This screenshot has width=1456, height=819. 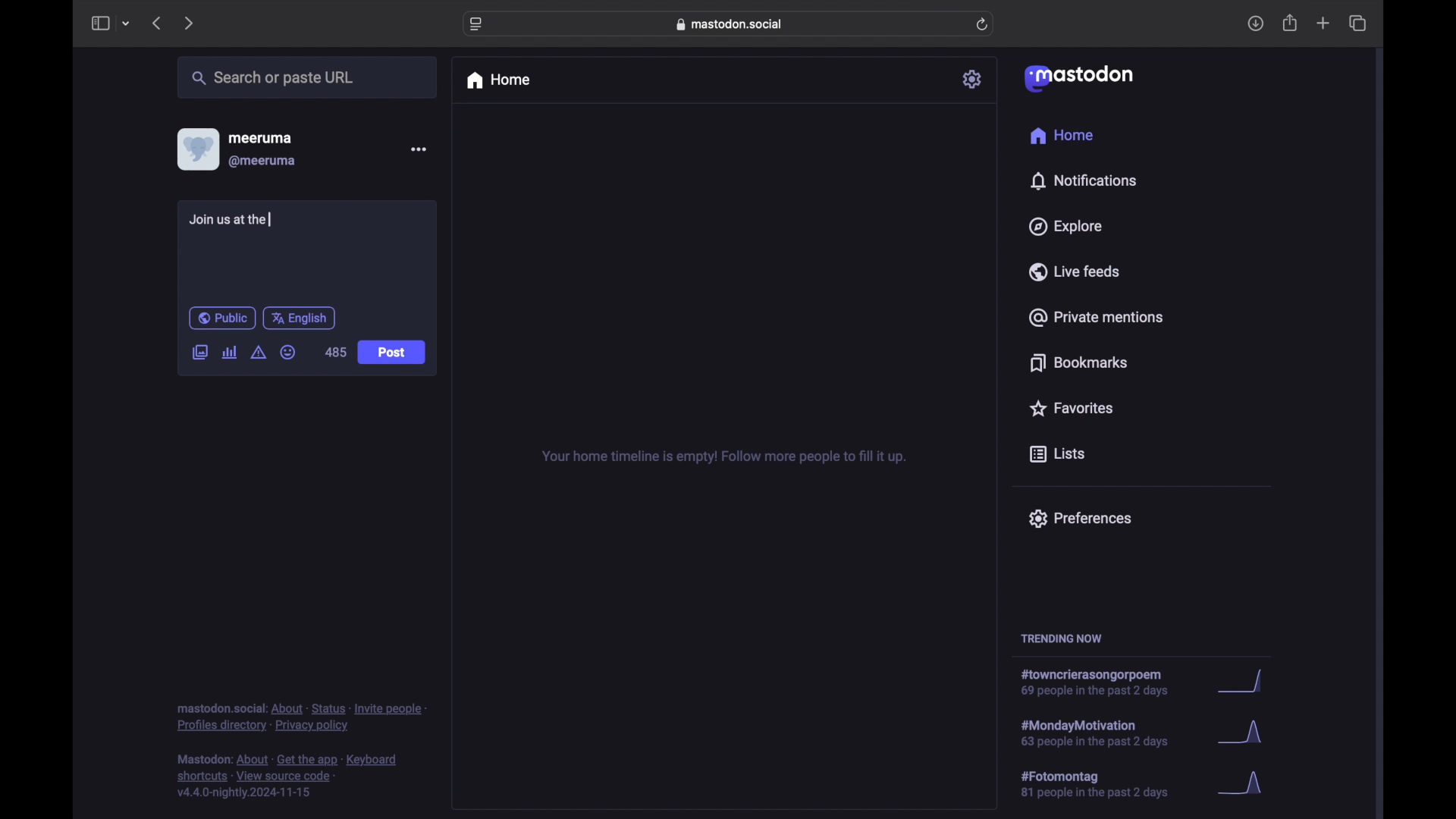 What do you see at coordinates (1077, 77) in the screenshot?
I see `mastodon` at bounding box center [1077, 77].